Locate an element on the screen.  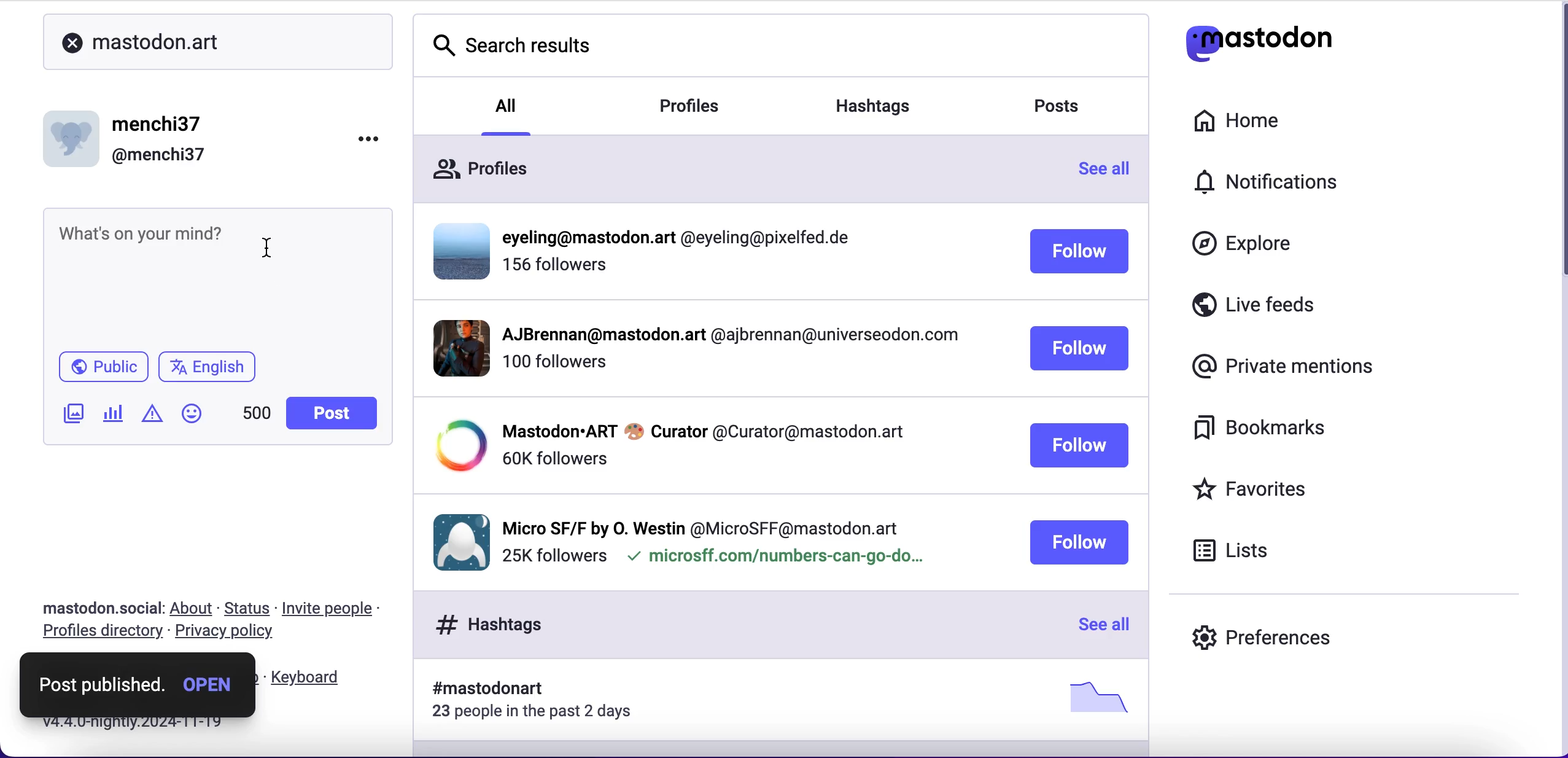
privacy policy is located at coordinates (230, 634).